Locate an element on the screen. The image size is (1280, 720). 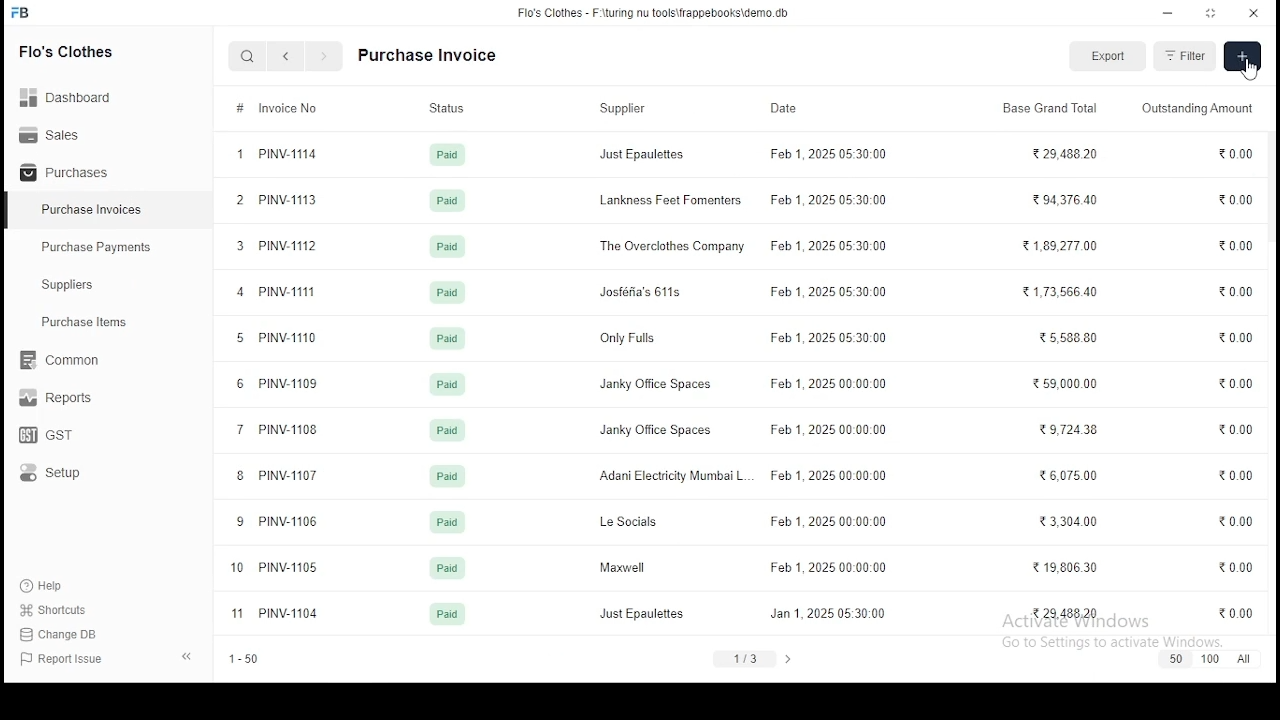
11 is located at coordinates (238, 614).